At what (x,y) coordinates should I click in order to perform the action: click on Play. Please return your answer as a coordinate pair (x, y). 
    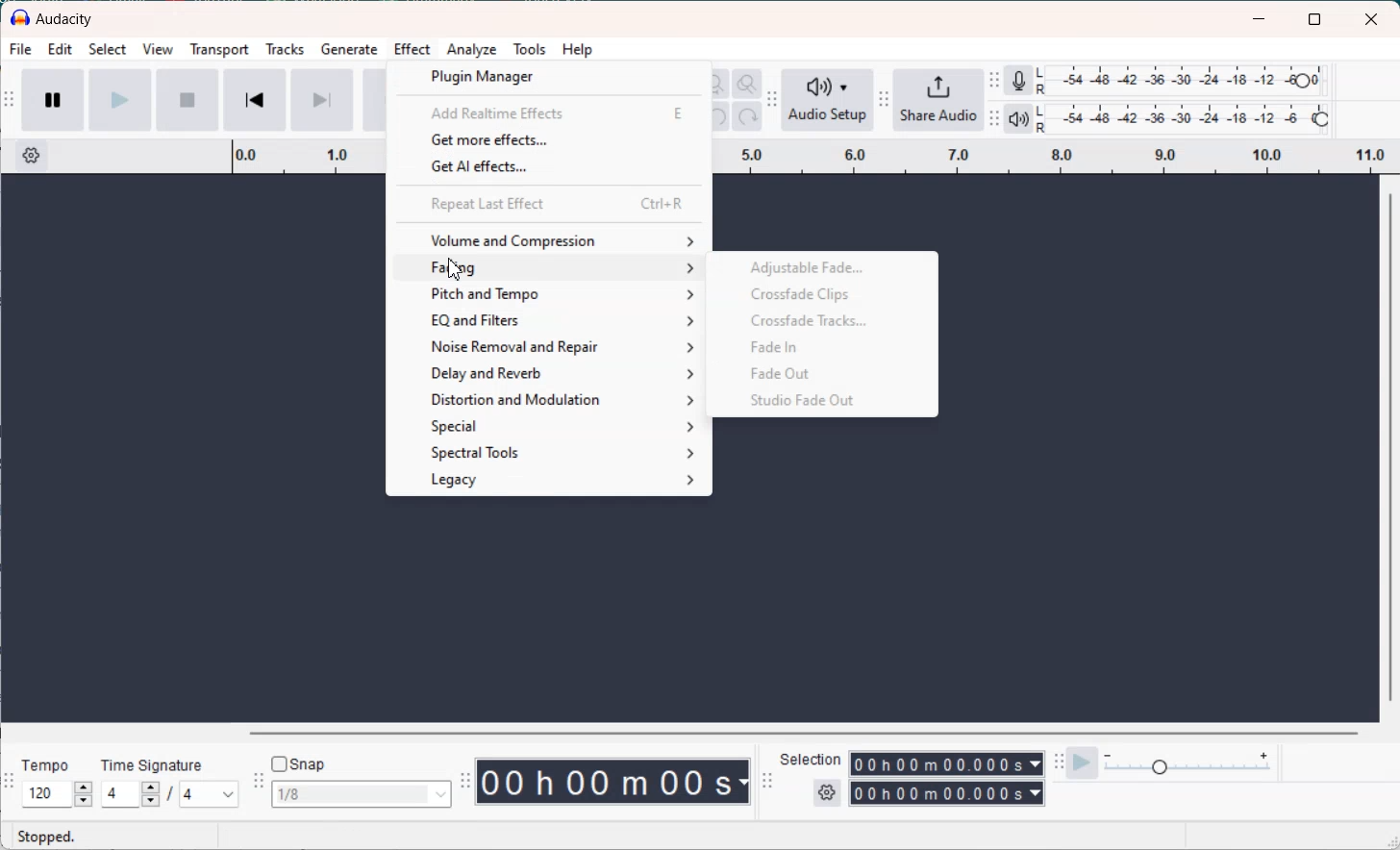
    Looking at the image, I should click on (119, 101).